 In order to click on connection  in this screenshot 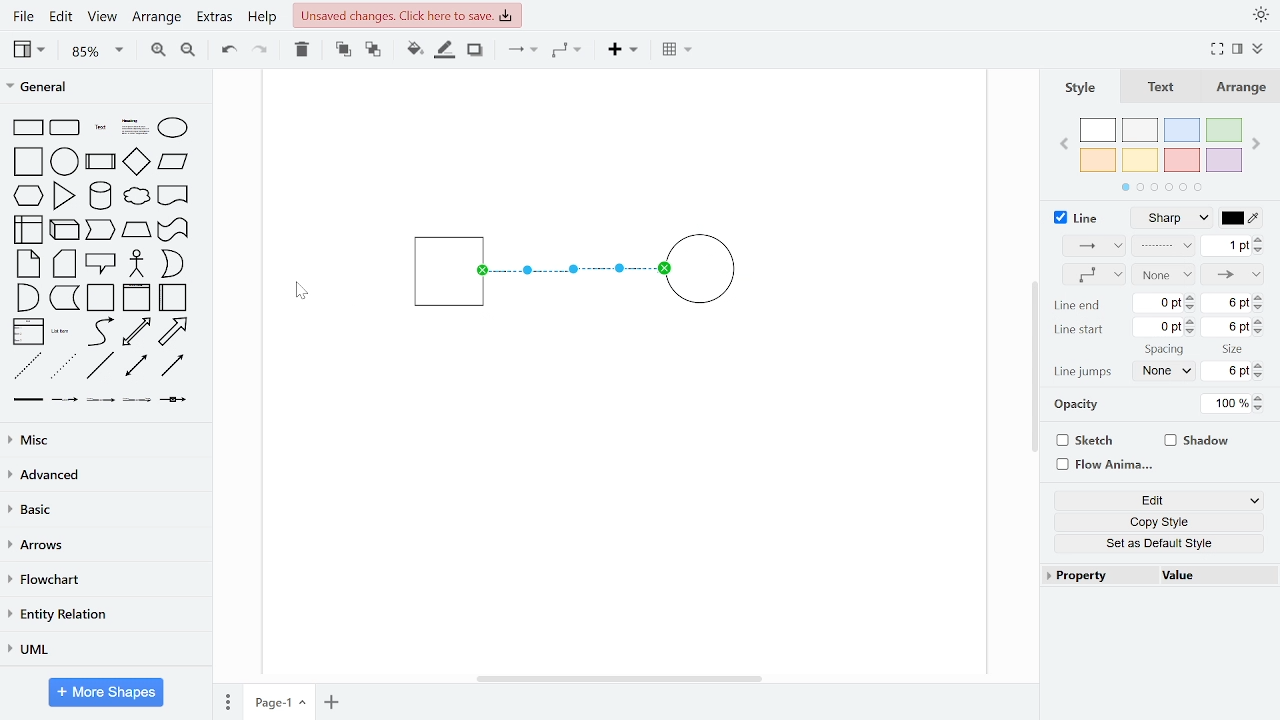, I will do `click(1092, 245)`.